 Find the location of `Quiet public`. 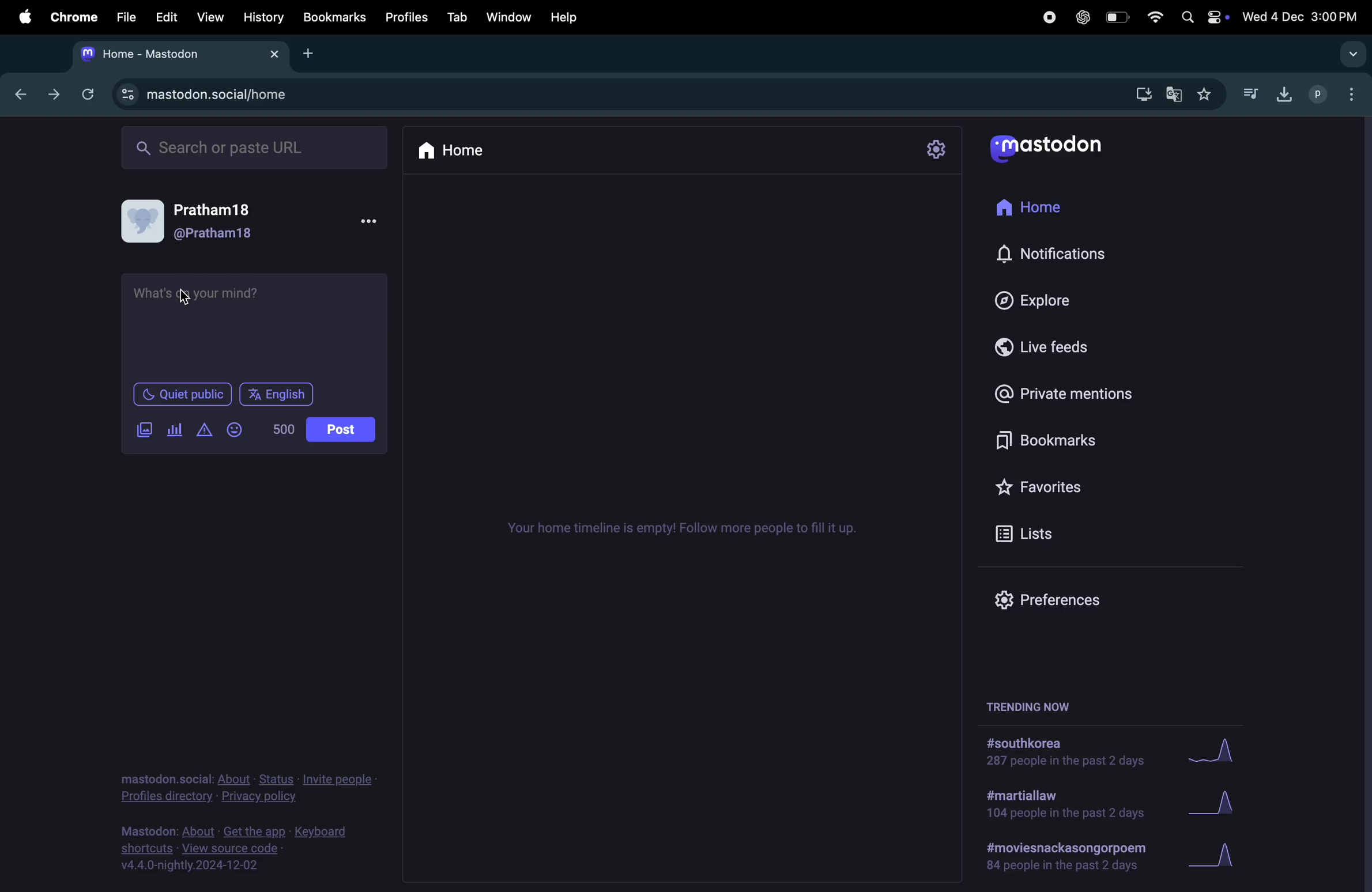

Quiet public is located at coordinates (180, 394).